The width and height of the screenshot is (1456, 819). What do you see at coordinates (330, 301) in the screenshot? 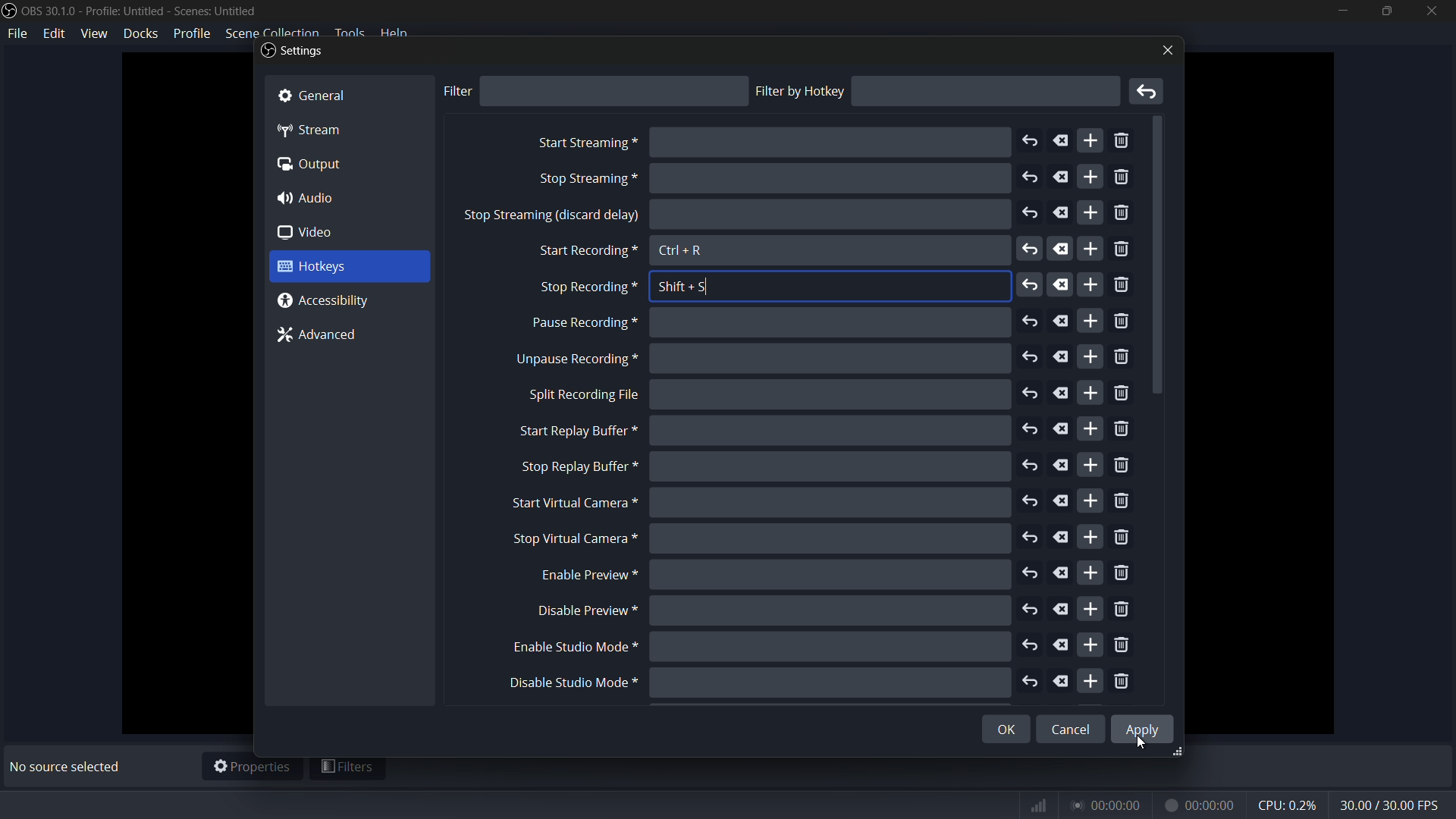
I see `@ Accessibility` at bounding box center [330, 301].